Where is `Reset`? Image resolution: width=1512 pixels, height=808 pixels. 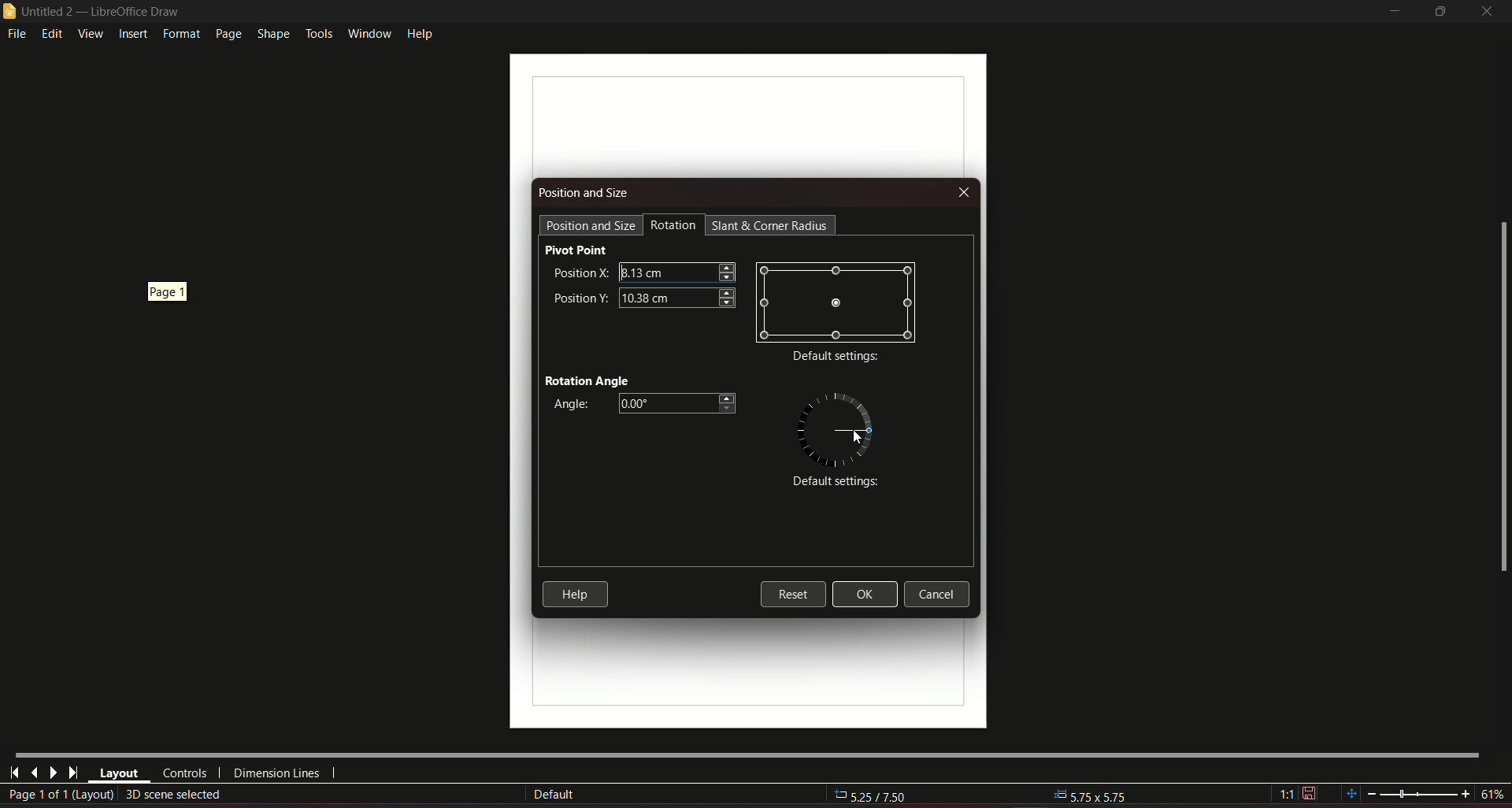
Reset is located at coordinates (792, 593).